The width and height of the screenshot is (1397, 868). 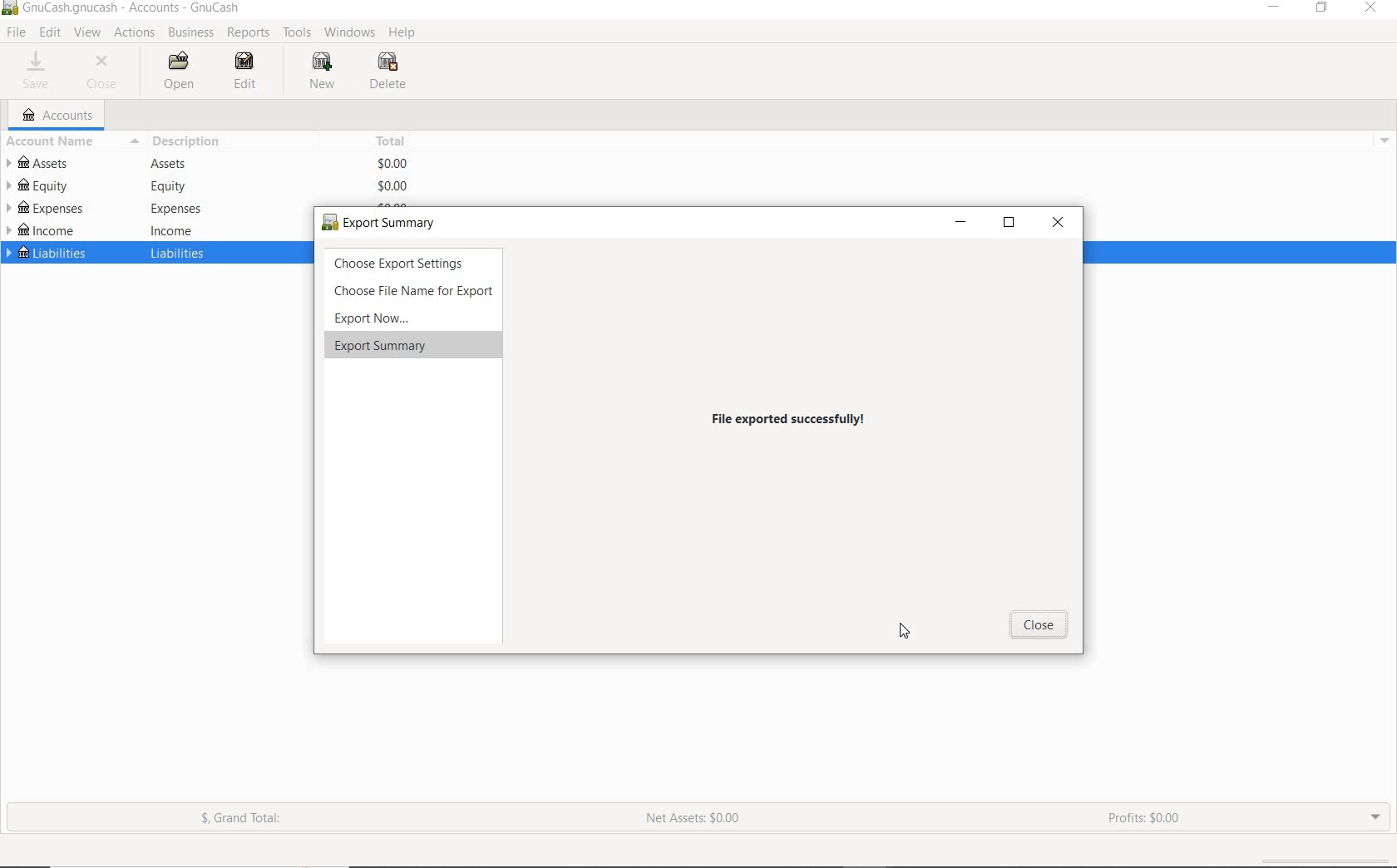 I want to click on EDIT, so click(x=51, y=33).